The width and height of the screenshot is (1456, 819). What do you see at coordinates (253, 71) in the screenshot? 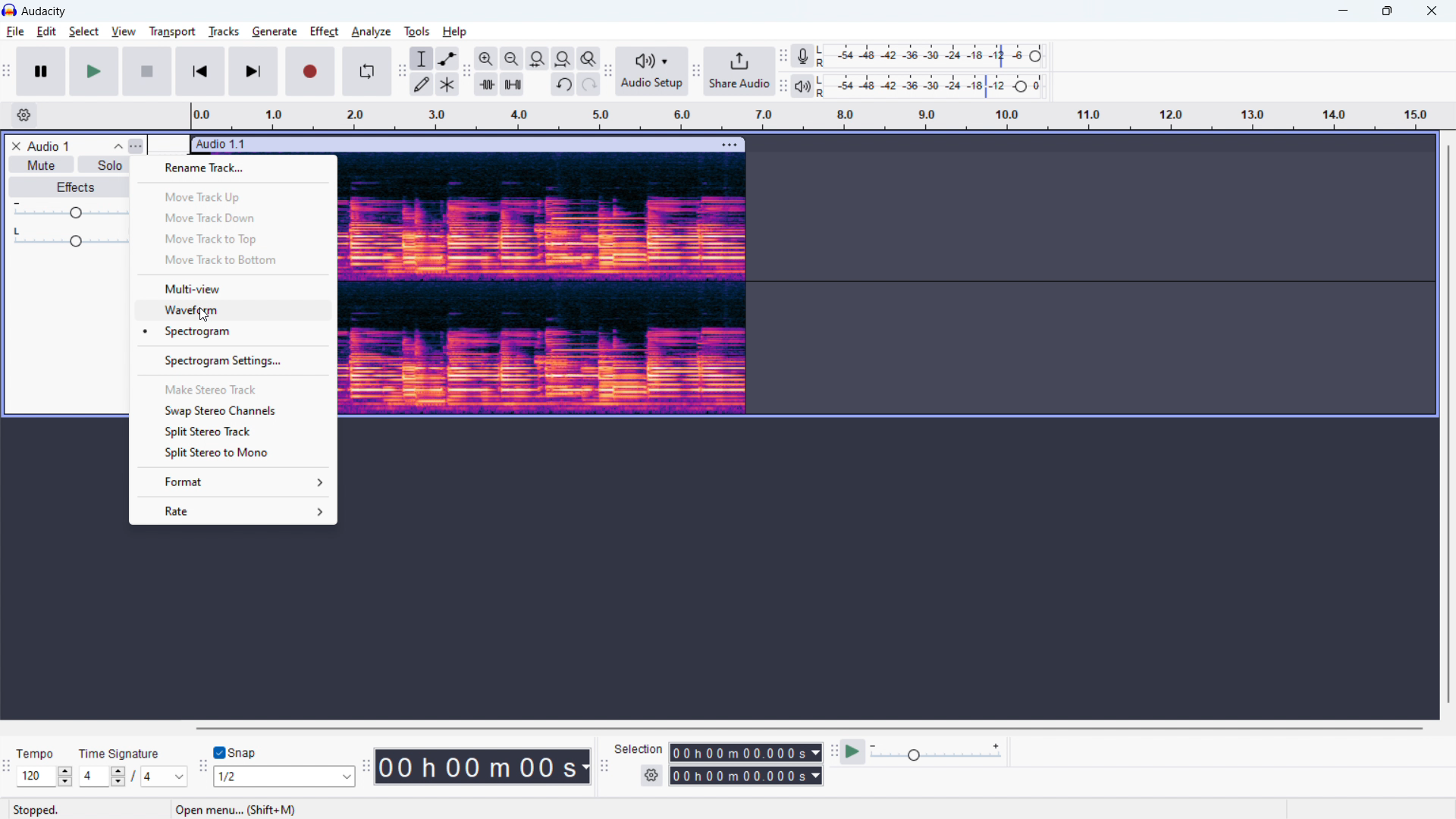
I see `skip to end` at bounding box center [253, 71].